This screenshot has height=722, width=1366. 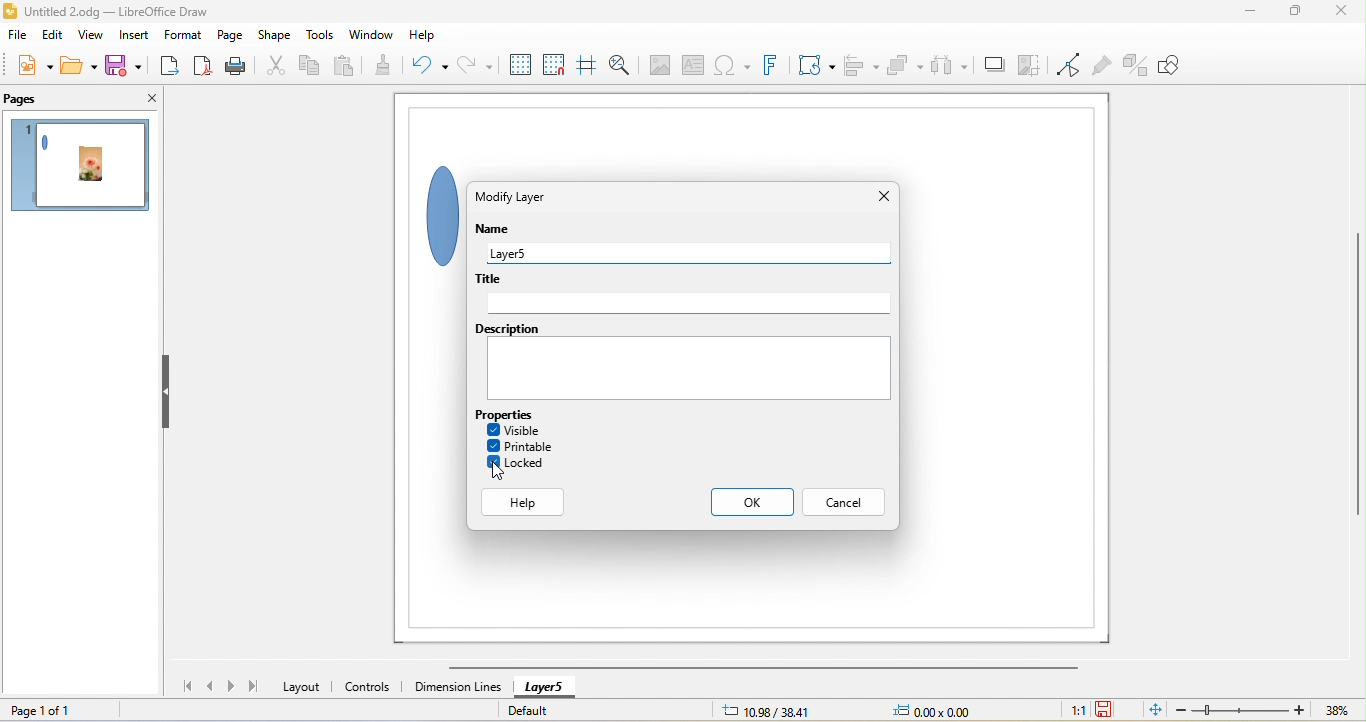 I want to click on vertical scroll bar, so click(x=1354, y=377).